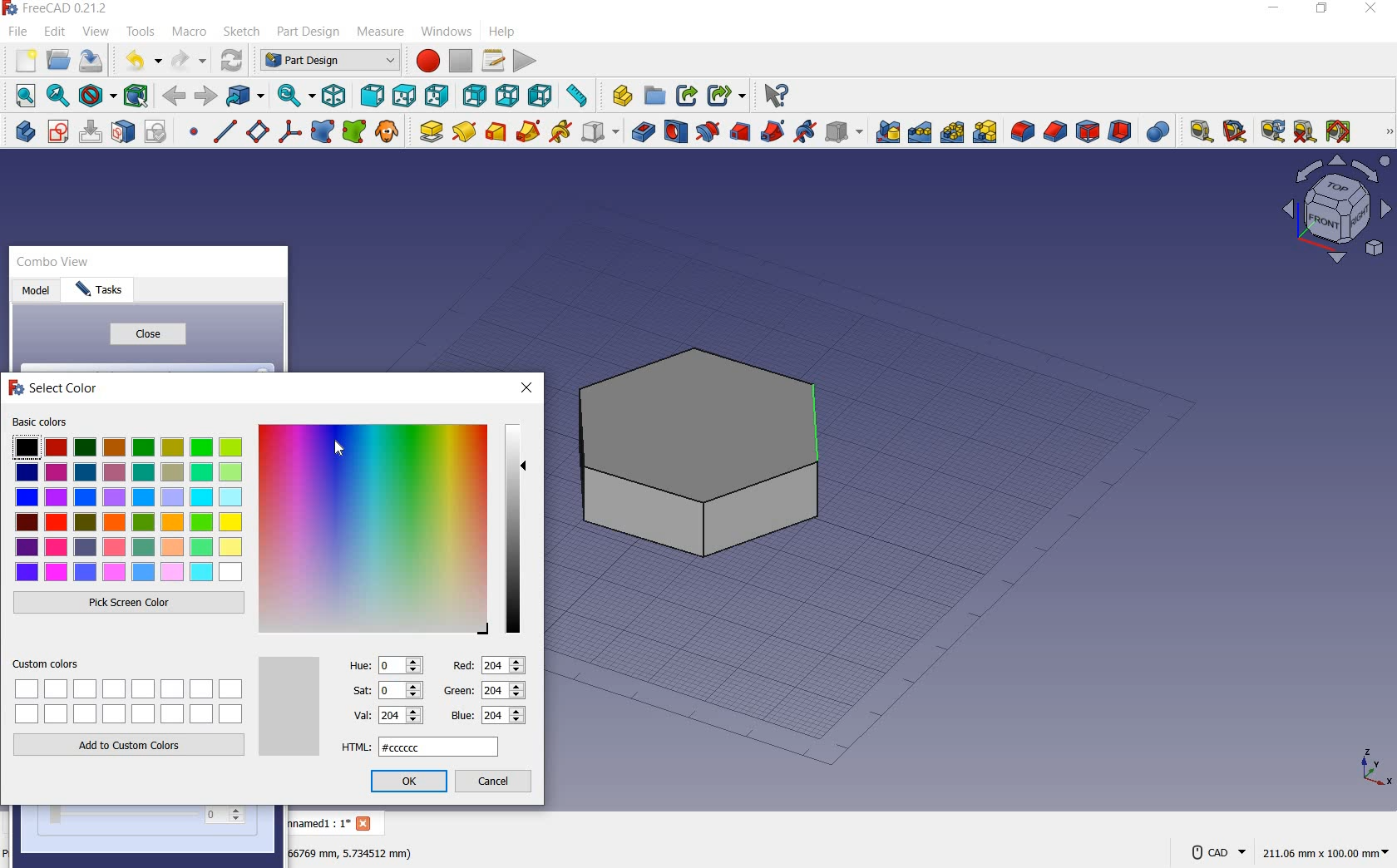 This screenshot has height=868, width=1397. I want to click on bounding box, so click(136, 96).